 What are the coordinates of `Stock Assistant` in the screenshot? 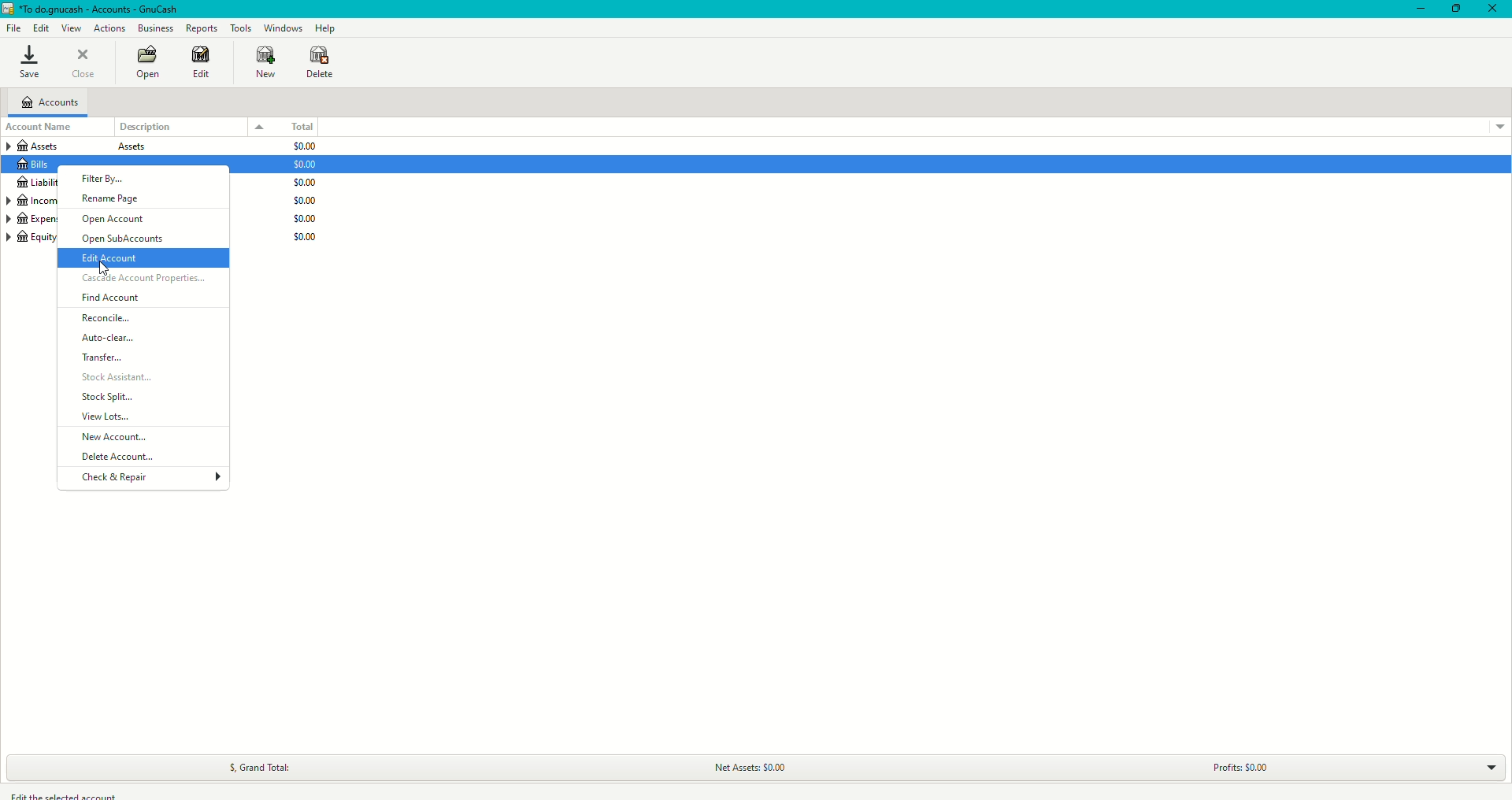 It's located at (125, 377).